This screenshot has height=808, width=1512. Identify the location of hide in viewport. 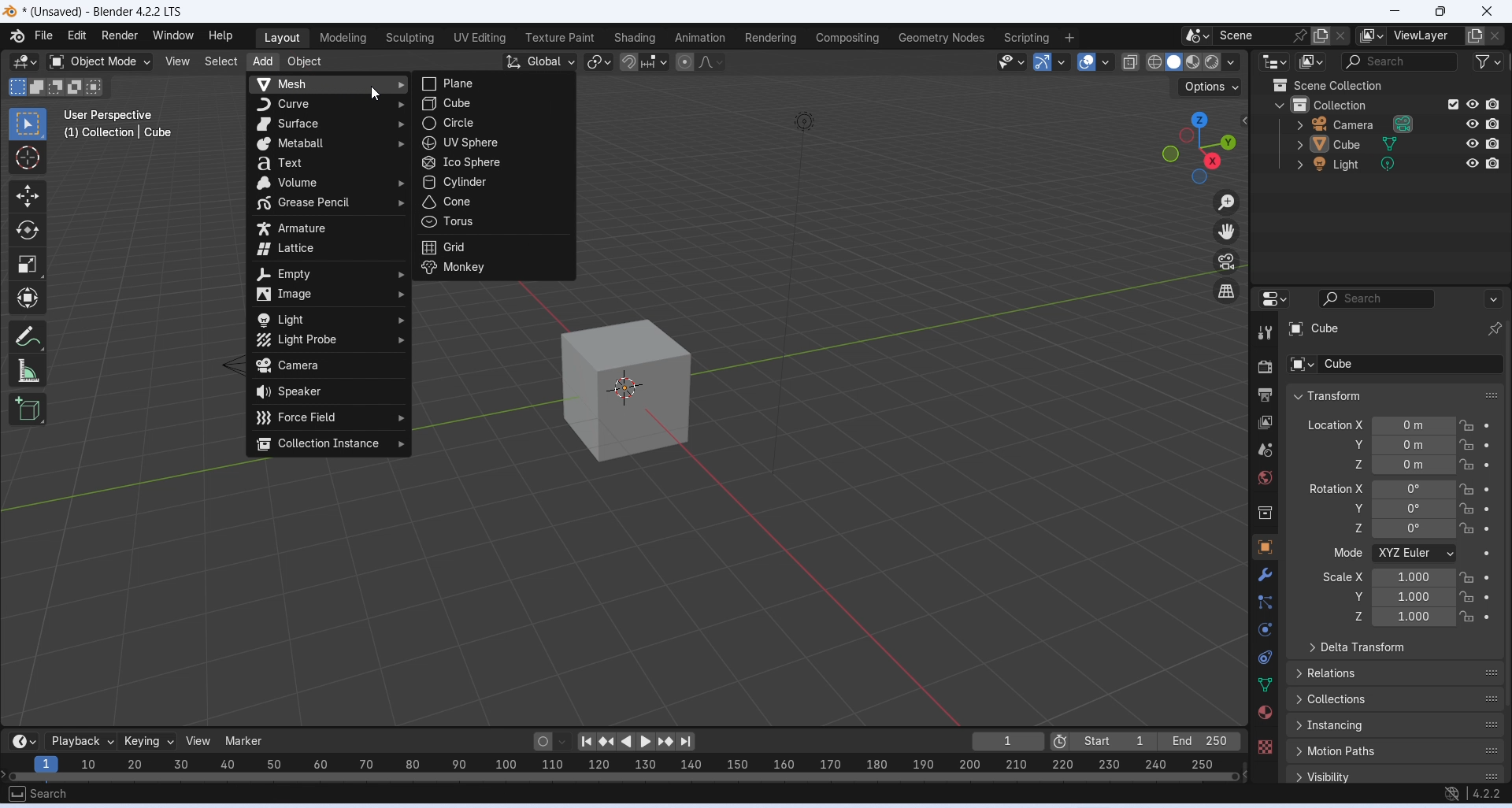
(1473, 143).